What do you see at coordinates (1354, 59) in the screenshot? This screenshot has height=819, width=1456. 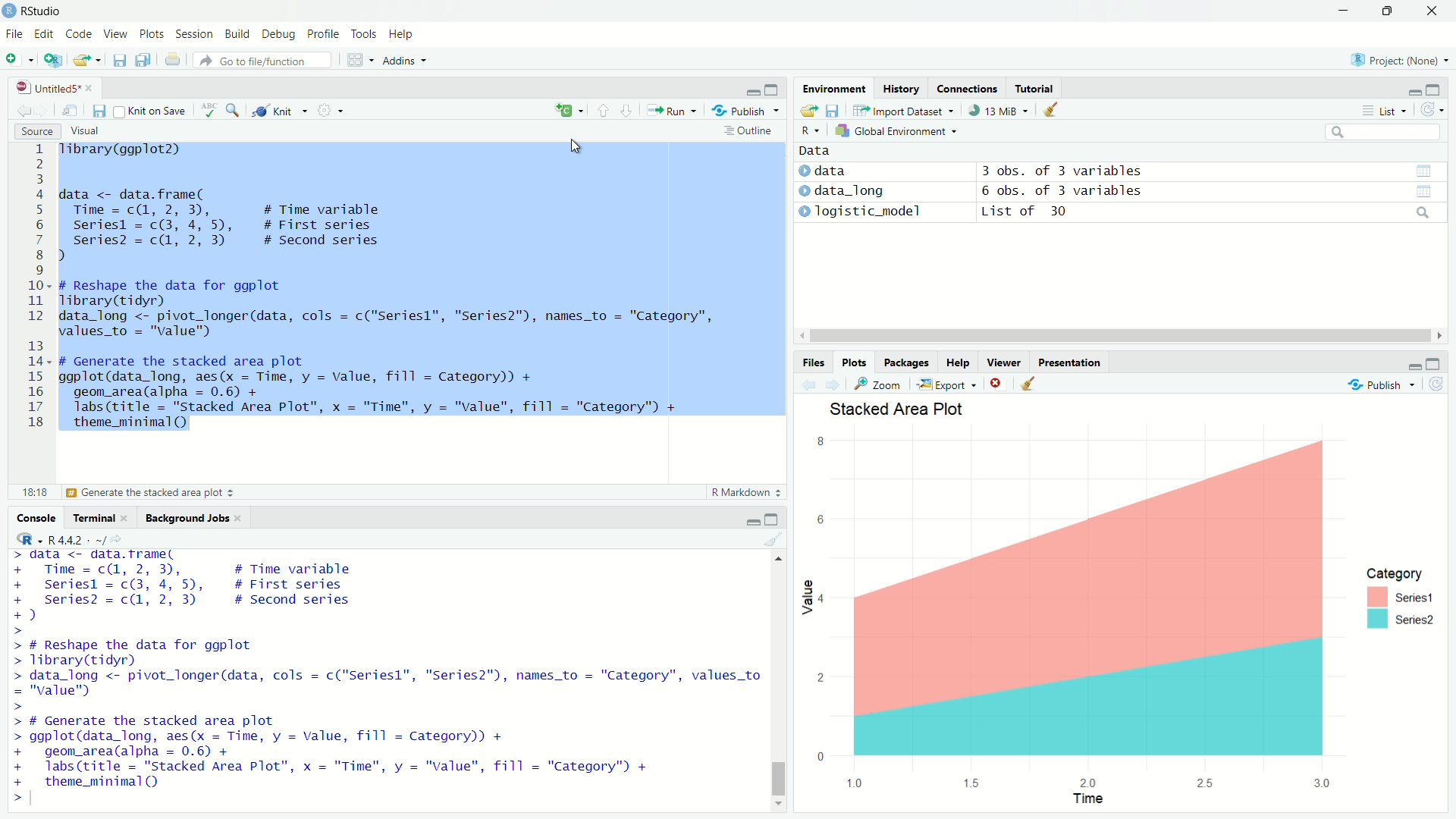 I see `R` at bounding box center [1354, 59].